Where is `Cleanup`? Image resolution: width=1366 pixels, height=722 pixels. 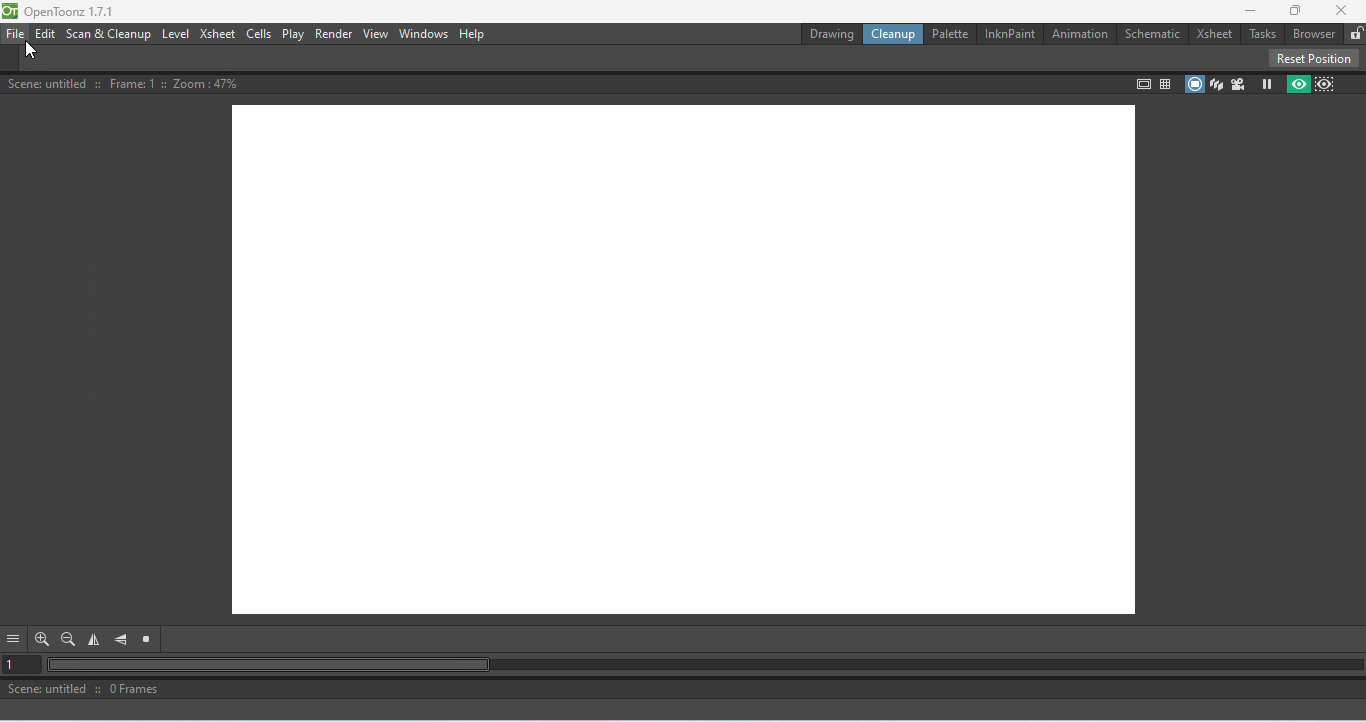 Cleanup is located at coordinates (897, 35).